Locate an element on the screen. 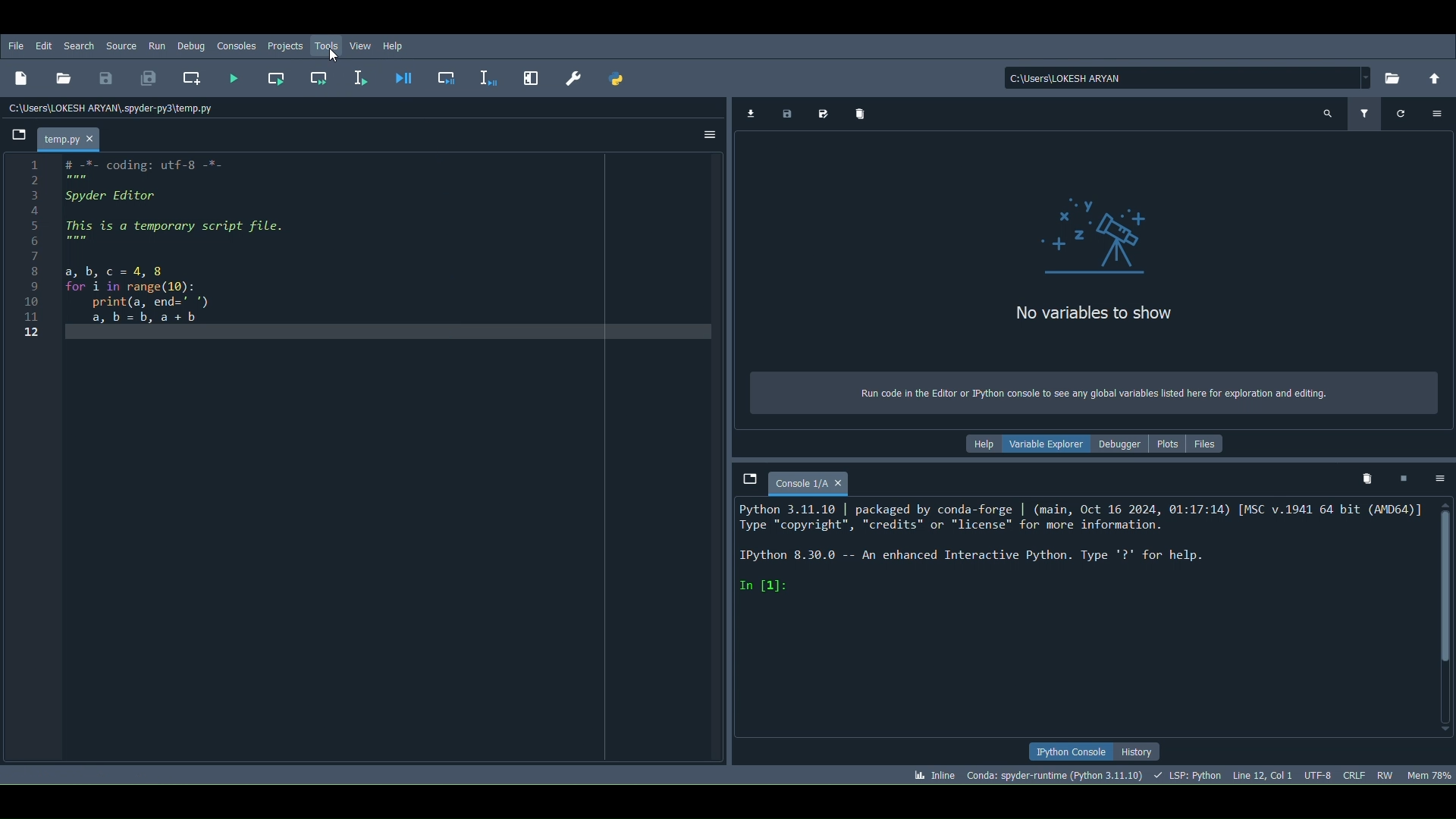  view is located at coordinates (362, 44).